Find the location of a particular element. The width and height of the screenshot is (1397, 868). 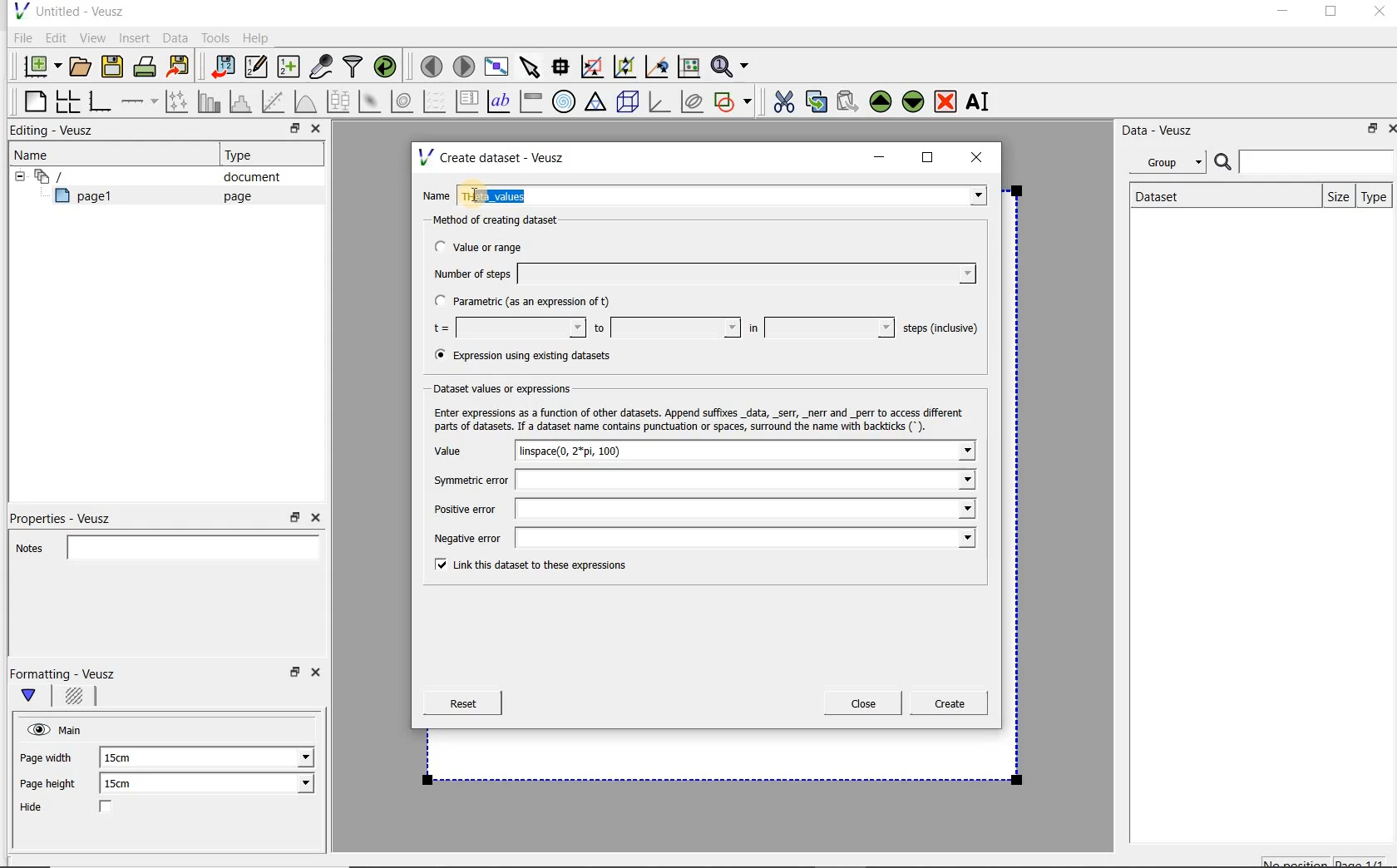

Data - Veusz is located at coordinates (1163, 130).